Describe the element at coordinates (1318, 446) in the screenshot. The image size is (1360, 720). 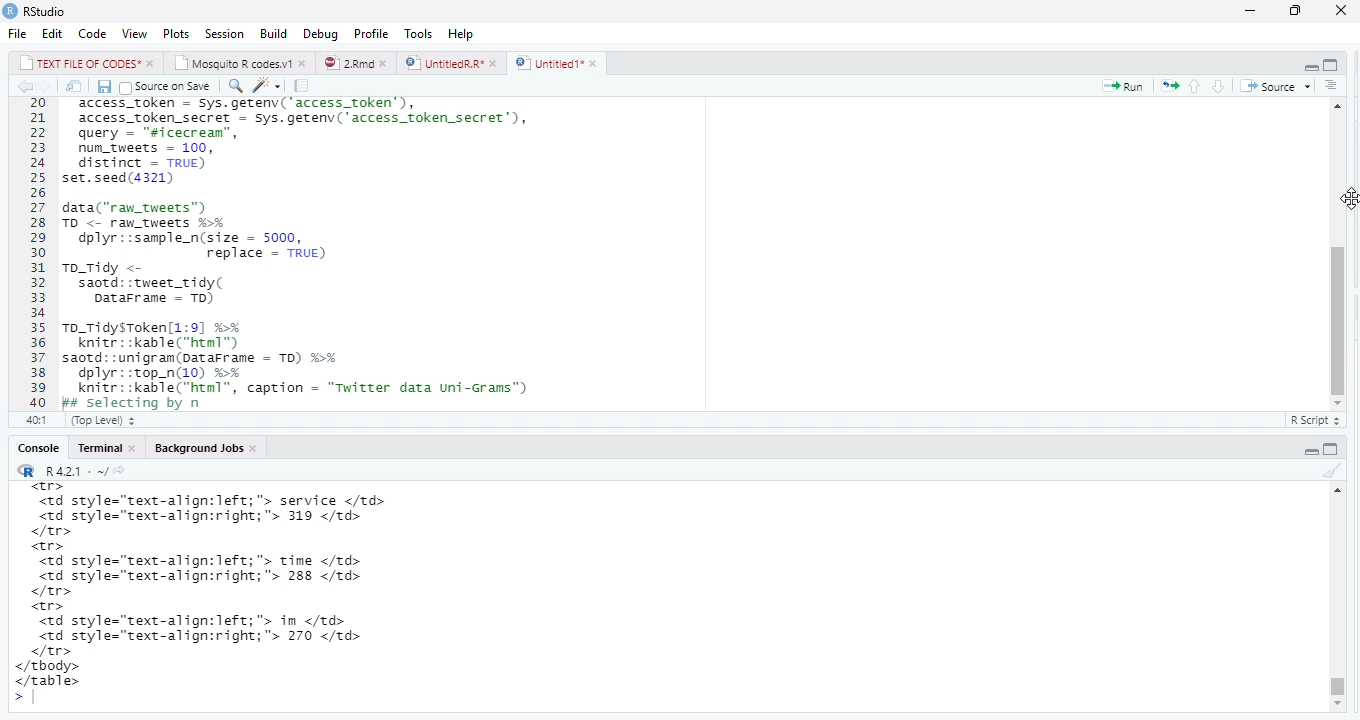
I see `minimize/maxiize` at that location.